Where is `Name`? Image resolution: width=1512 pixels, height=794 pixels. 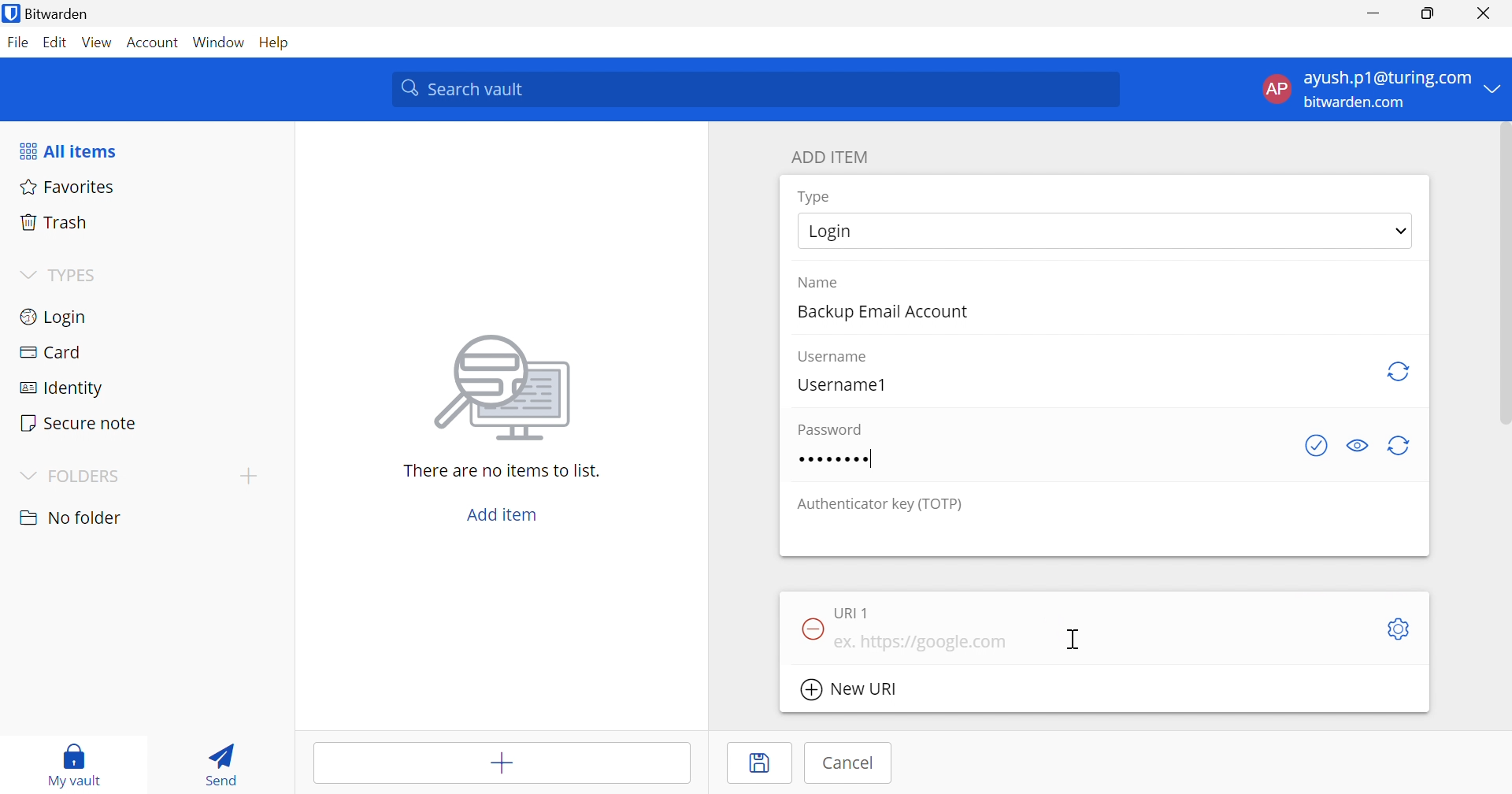 Name is located at coordinates (818, 283).